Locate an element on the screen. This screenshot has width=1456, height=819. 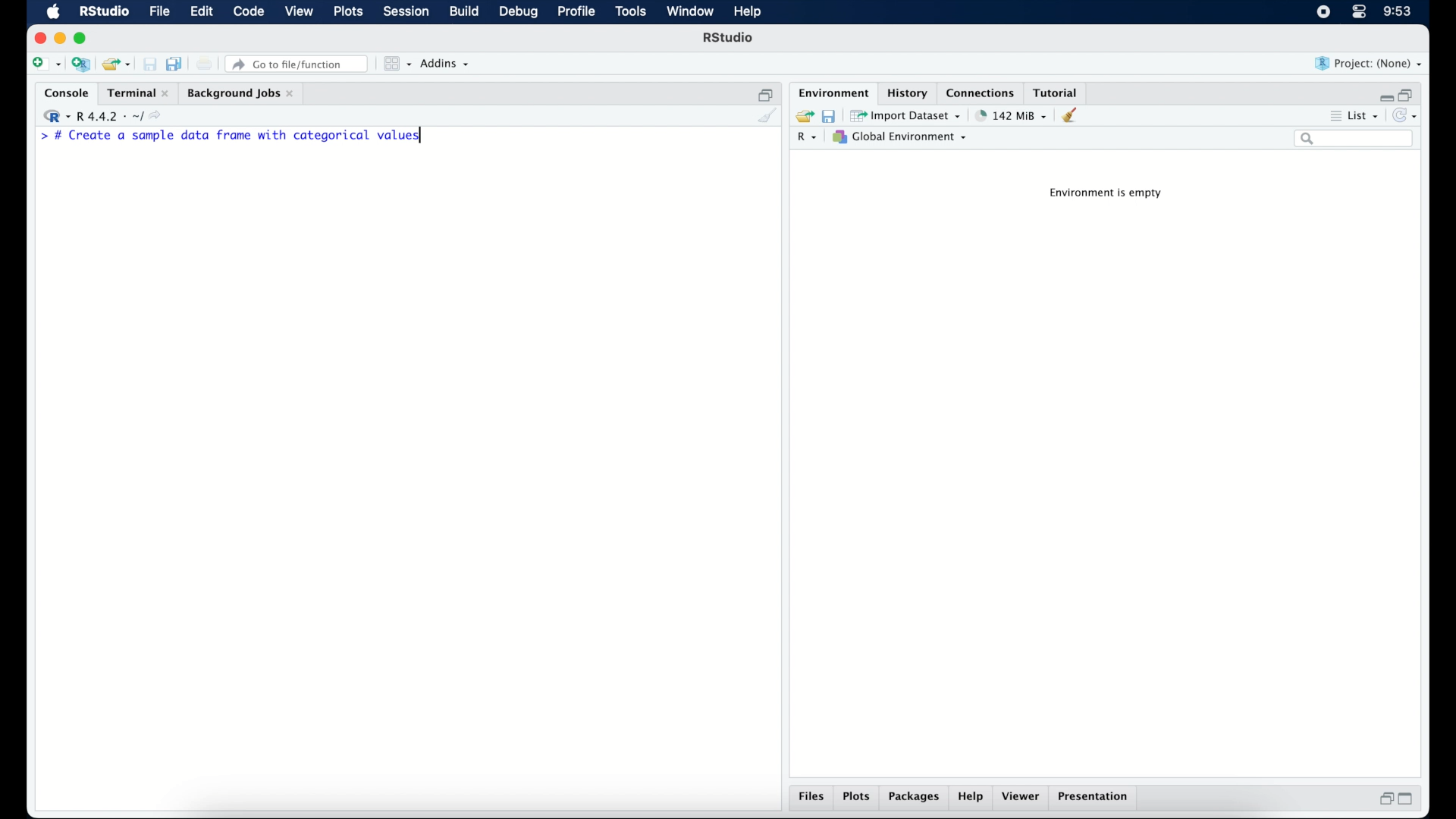
save is located at coordinates (828, 116).